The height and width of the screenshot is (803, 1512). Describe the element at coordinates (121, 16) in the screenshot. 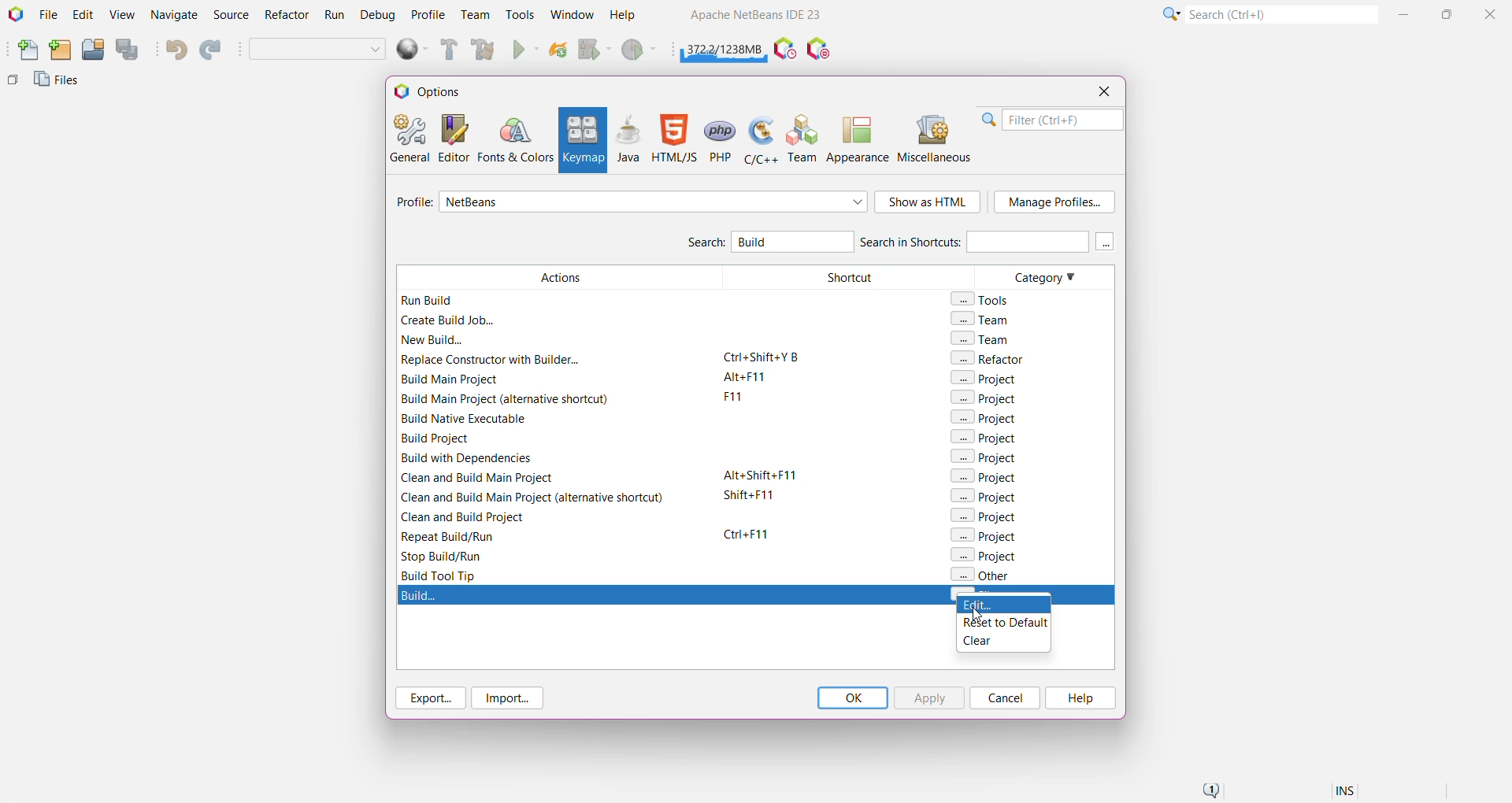

I see `View` at that location.